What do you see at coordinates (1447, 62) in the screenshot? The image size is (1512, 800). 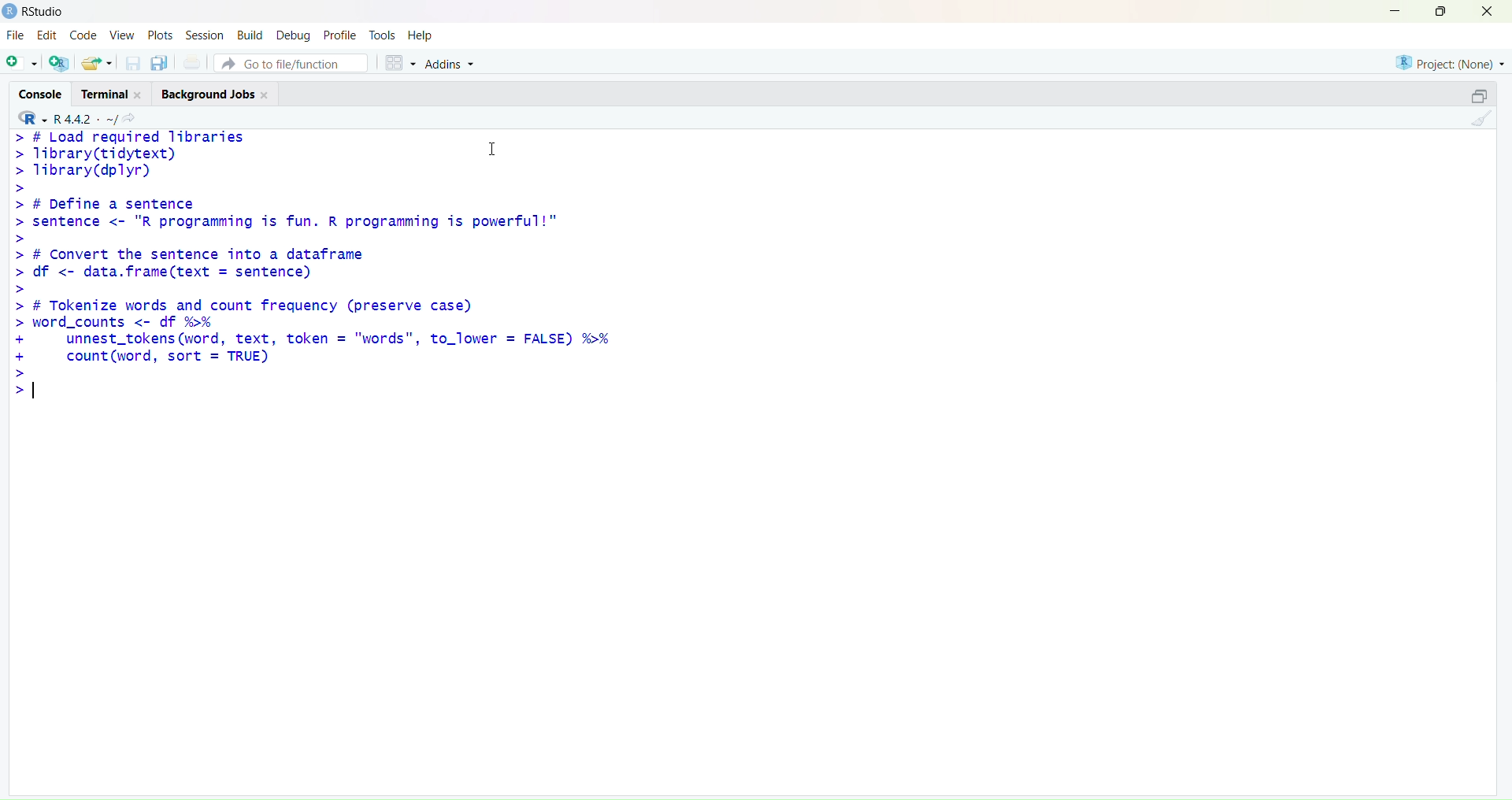 I see `project(None)` at bounding box center [1447, 62].